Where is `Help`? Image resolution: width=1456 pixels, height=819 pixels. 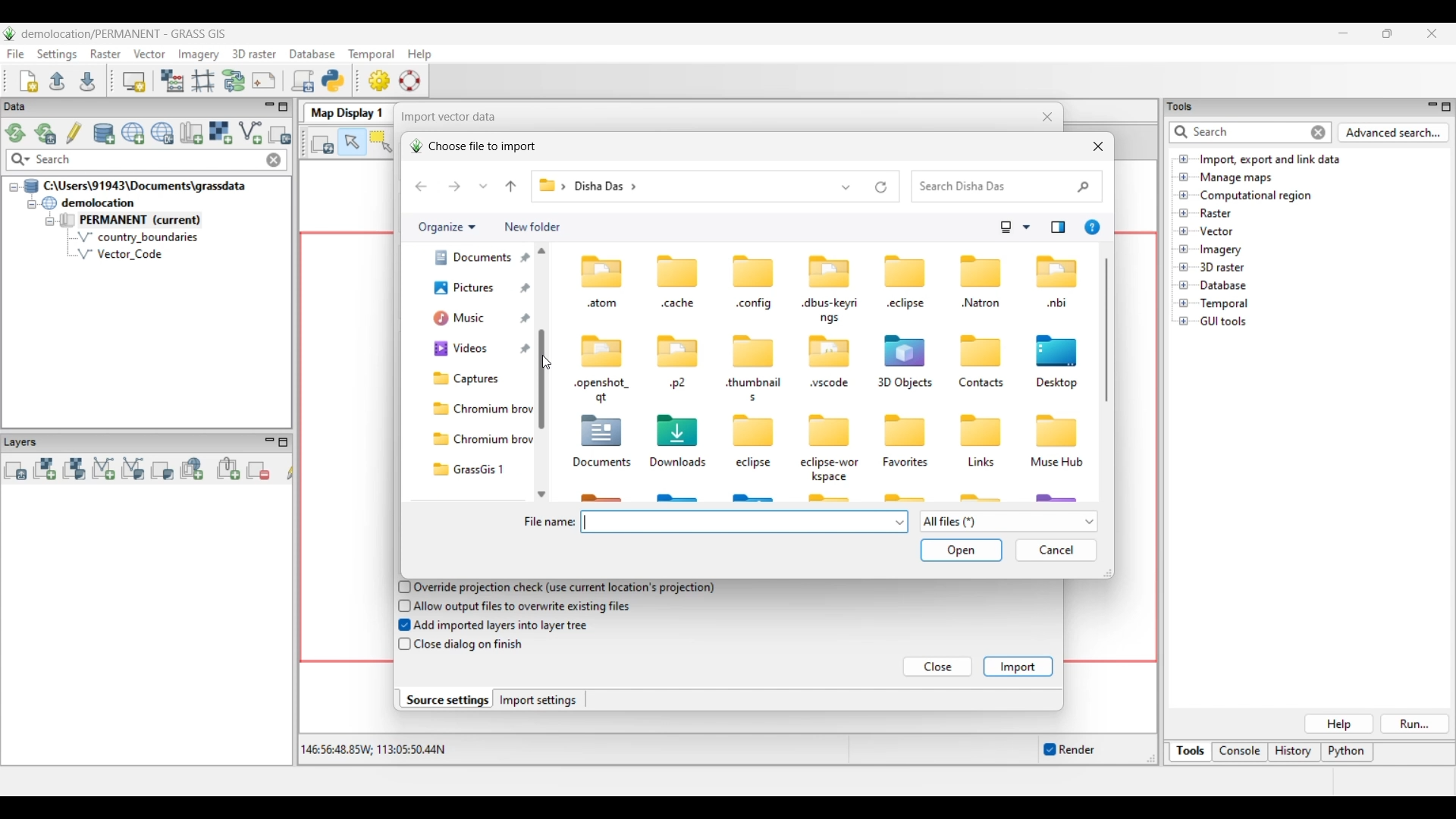 Help is located at coordinates (1338, 724).